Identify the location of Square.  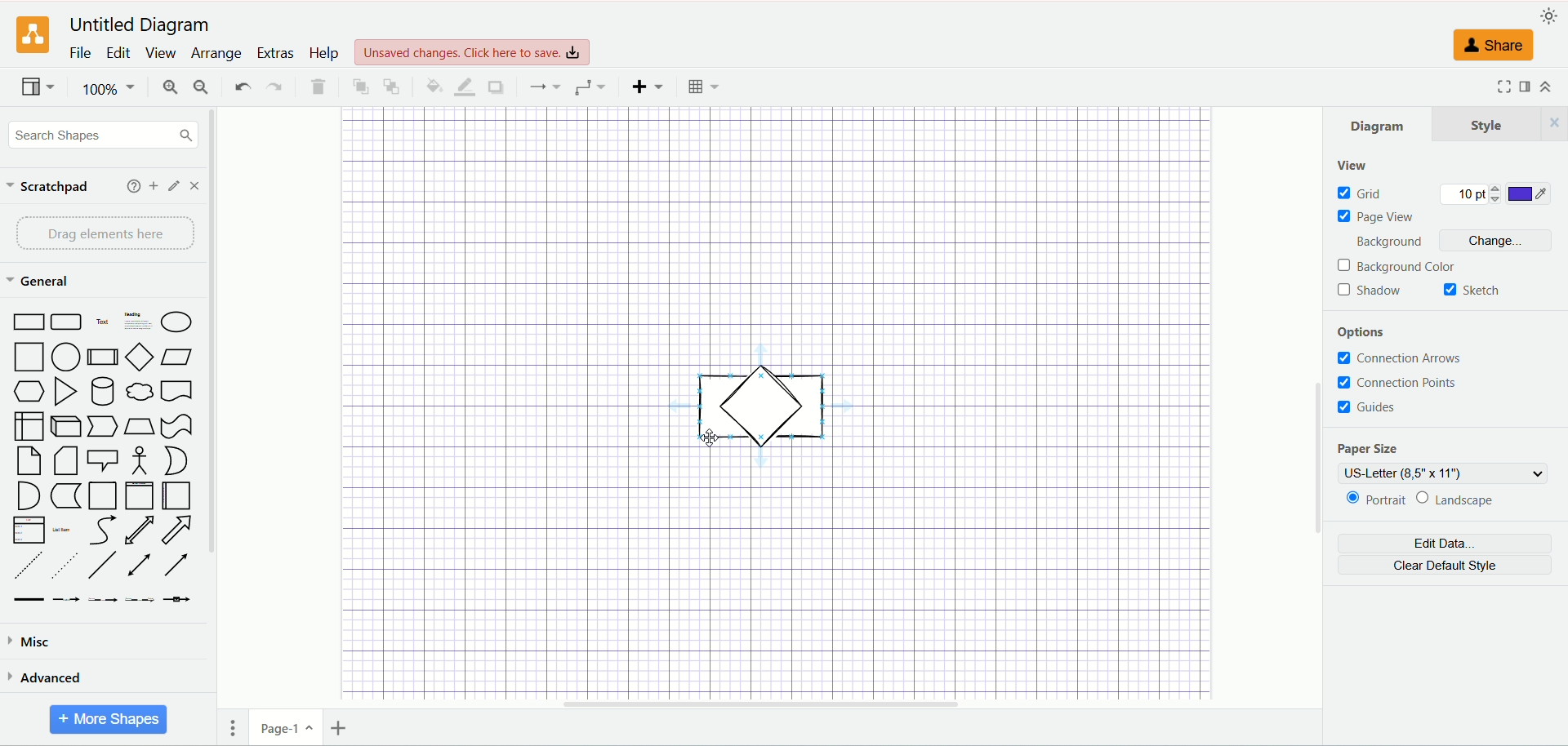
(28, 355).